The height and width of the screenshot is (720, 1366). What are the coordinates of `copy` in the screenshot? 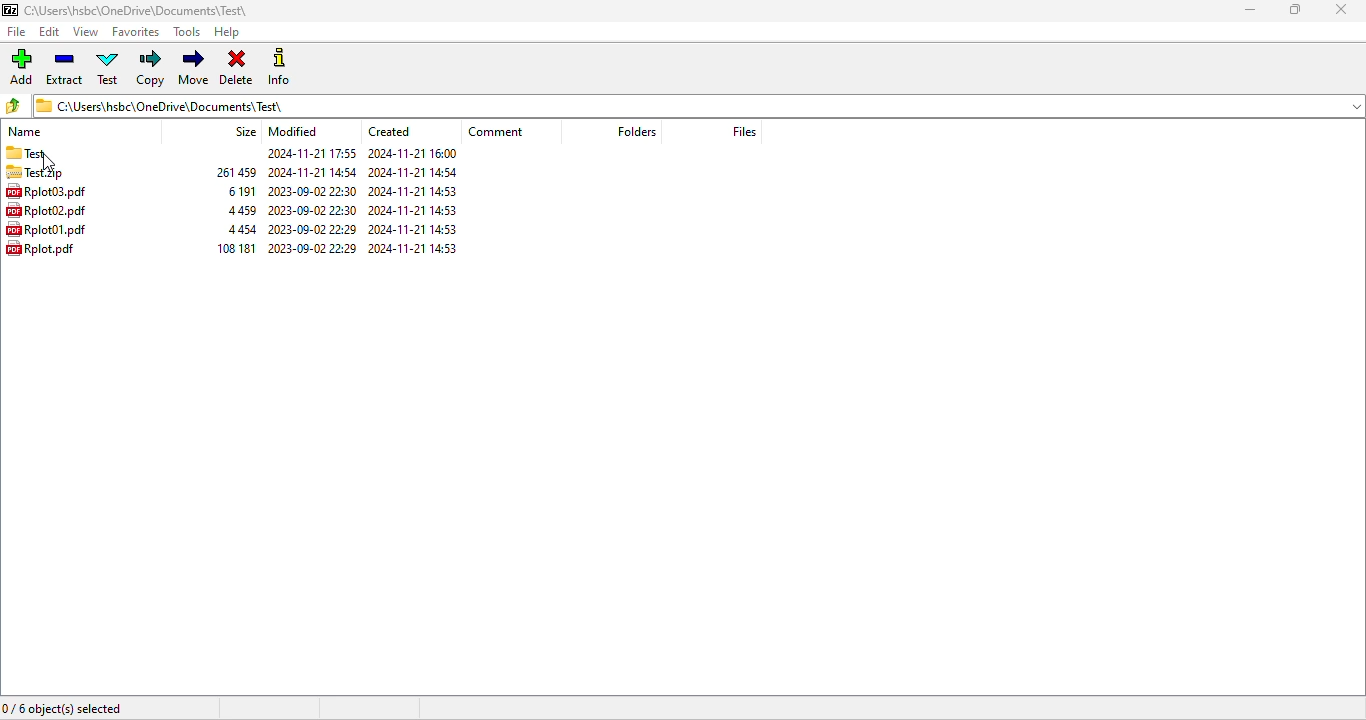 It's located at (151, 68).